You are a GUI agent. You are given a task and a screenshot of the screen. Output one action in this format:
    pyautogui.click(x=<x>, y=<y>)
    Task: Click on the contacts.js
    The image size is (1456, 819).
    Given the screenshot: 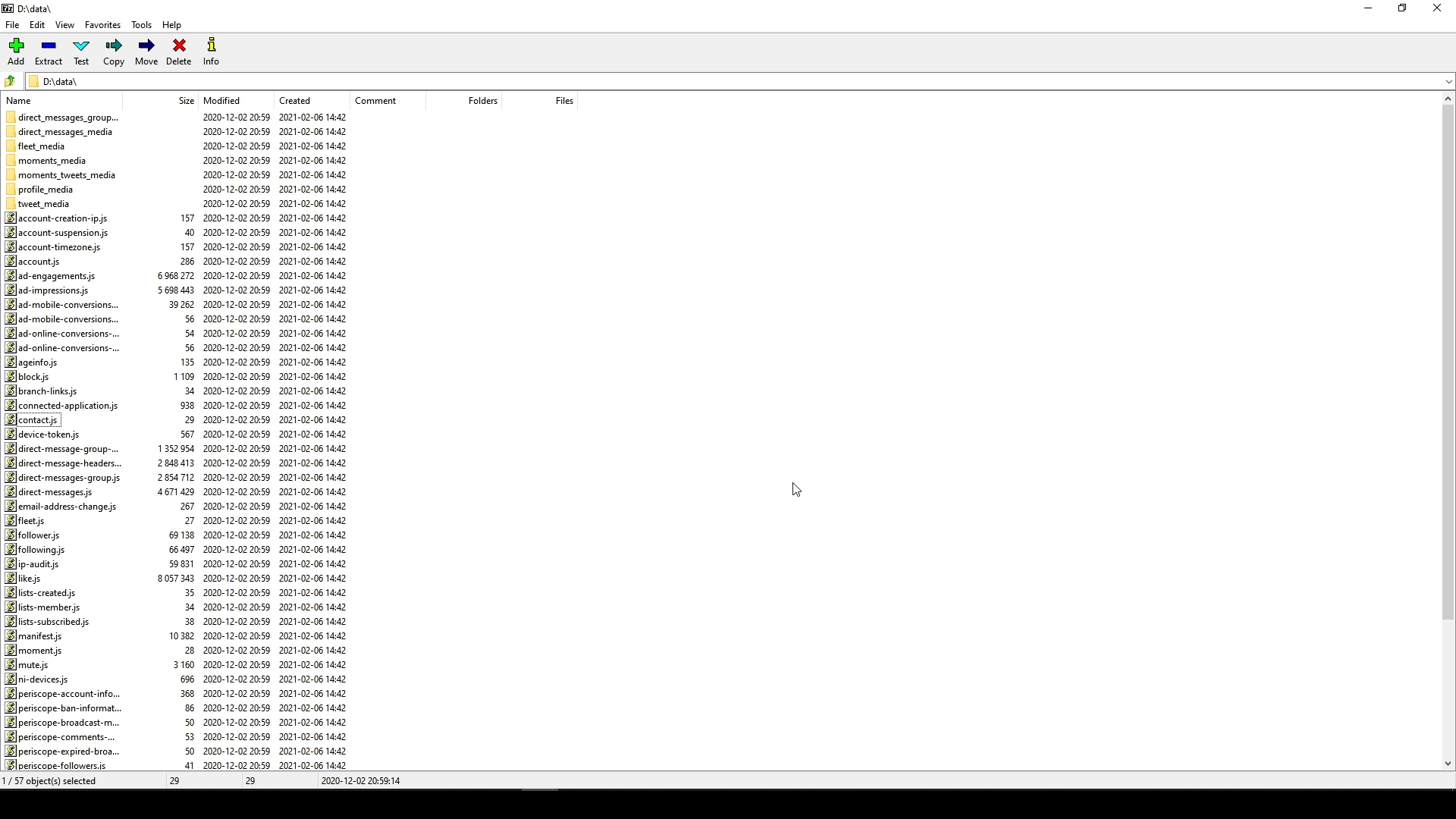 What is the action you would take?
    pyautogui.click(x=37, y=419)
    